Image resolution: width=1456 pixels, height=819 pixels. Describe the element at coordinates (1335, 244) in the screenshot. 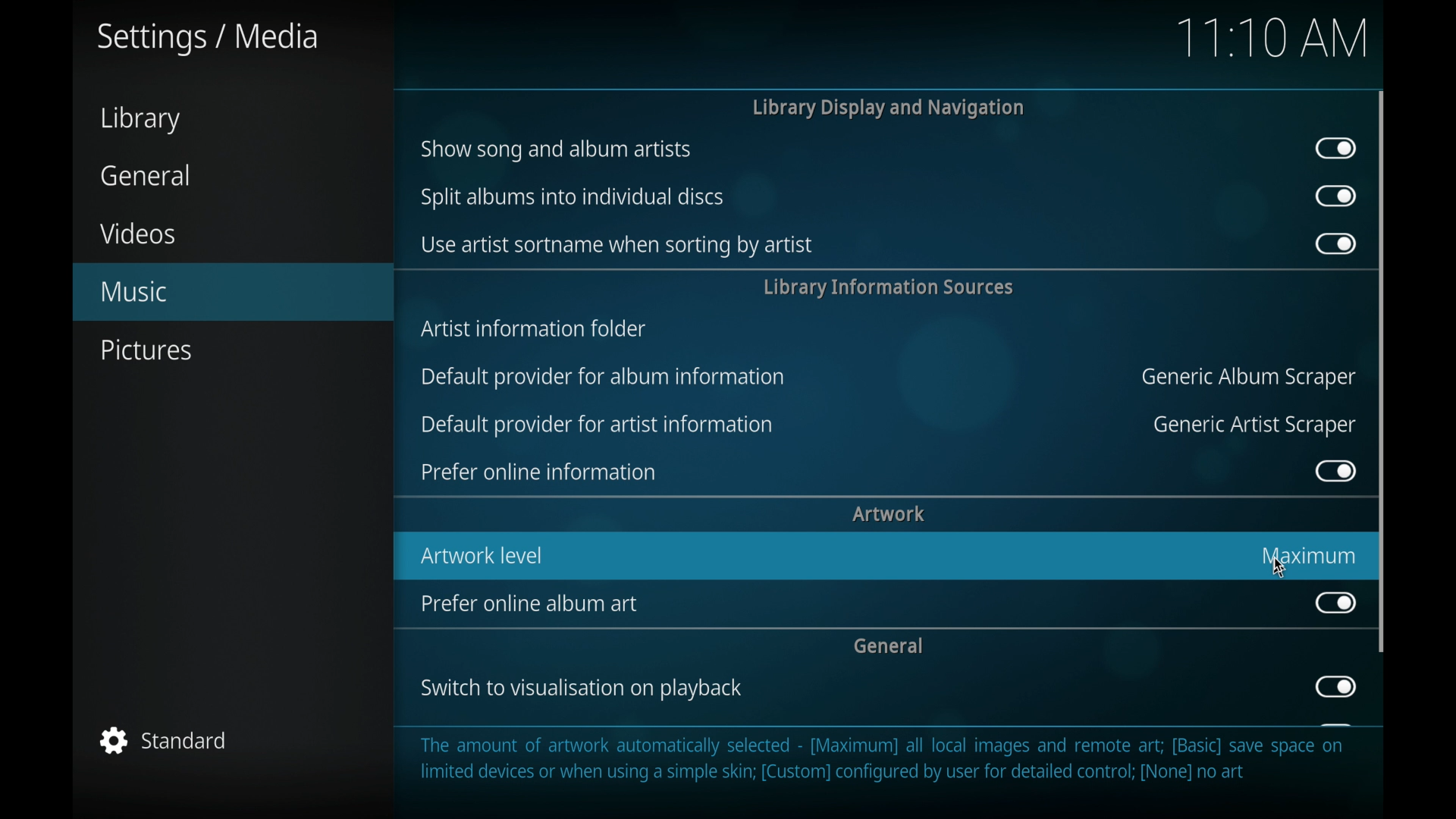

I see `toggle button` at that location.